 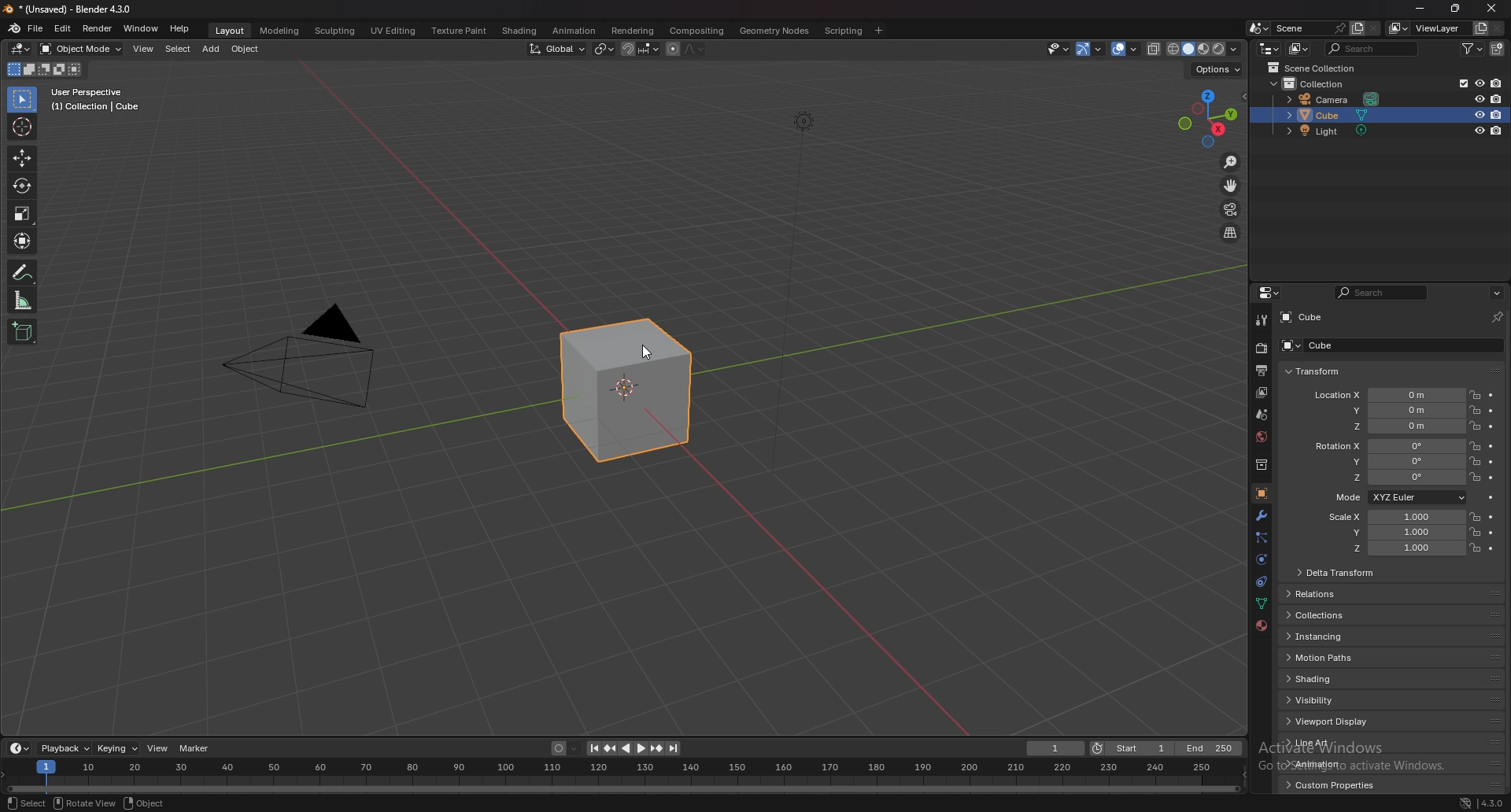 What do you see at coordinates (672, 50) in the screenshot?
I see `proportional editing objects` at bounding box center [672, 50].